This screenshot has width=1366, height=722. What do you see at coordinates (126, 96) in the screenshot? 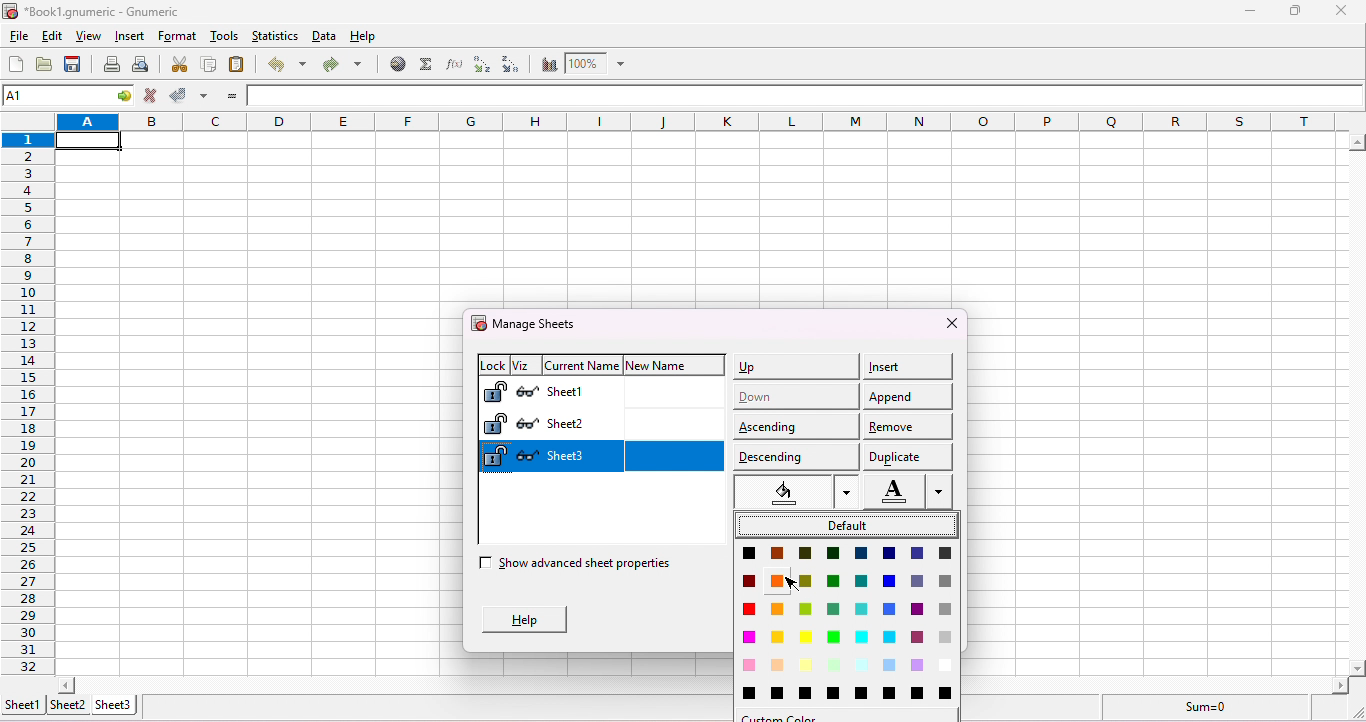
I see `go to` at bounding box center [126, 96].